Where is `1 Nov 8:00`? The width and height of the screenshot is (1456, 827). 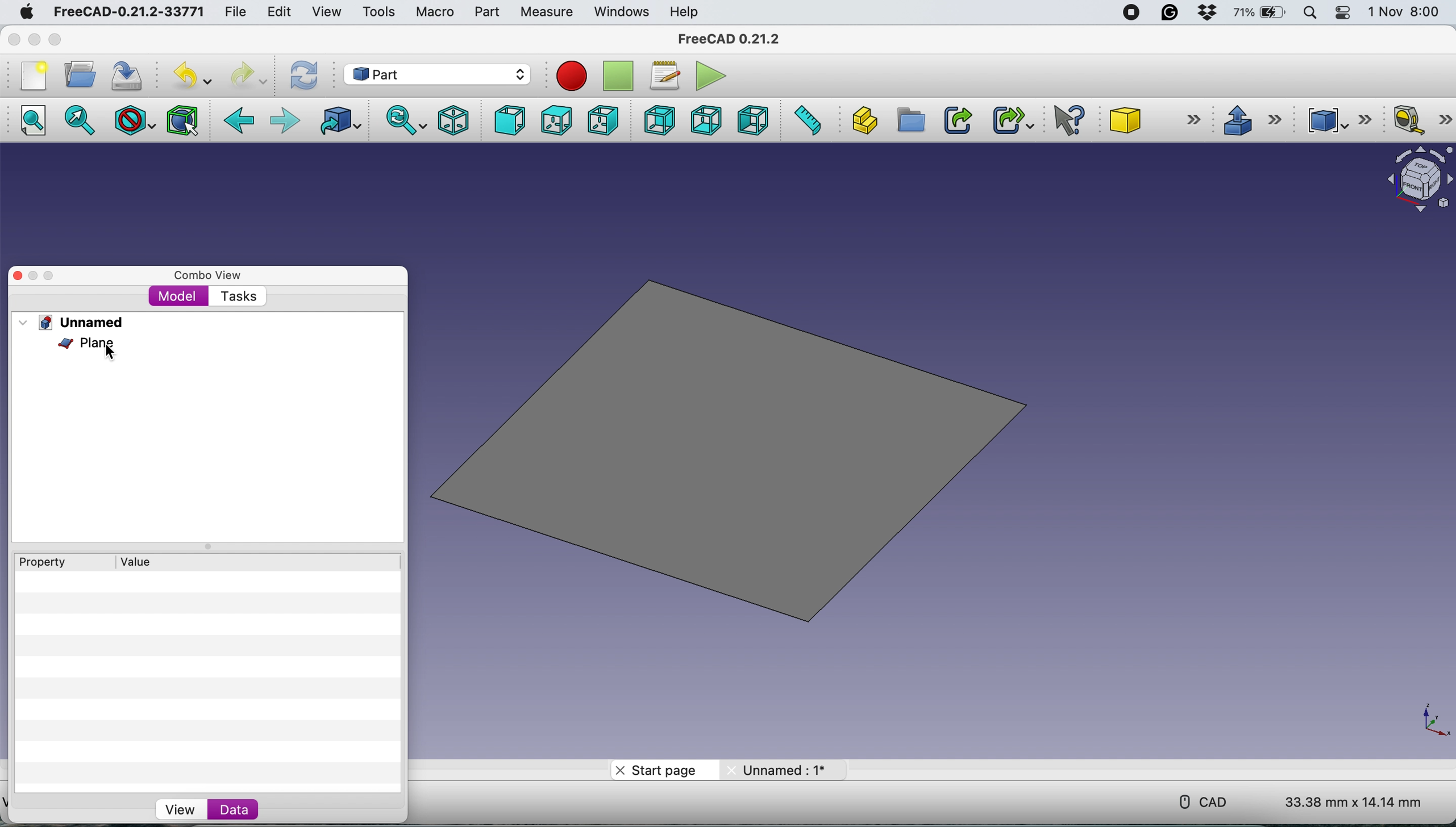 1 Nov 8:00 is located at coordinates (1404, 14).